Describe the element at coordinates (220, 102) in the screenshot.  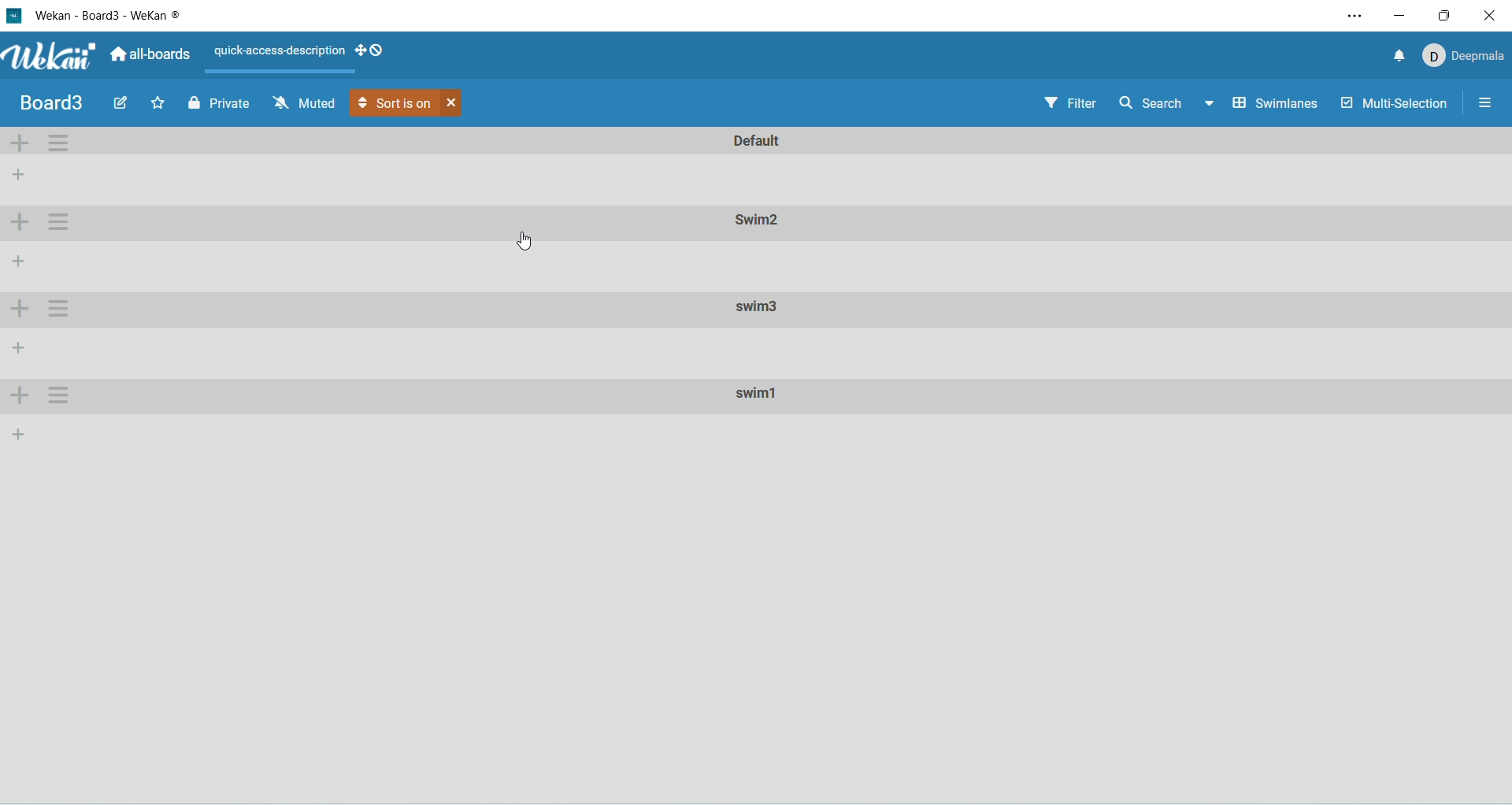
I see `private` at that location.